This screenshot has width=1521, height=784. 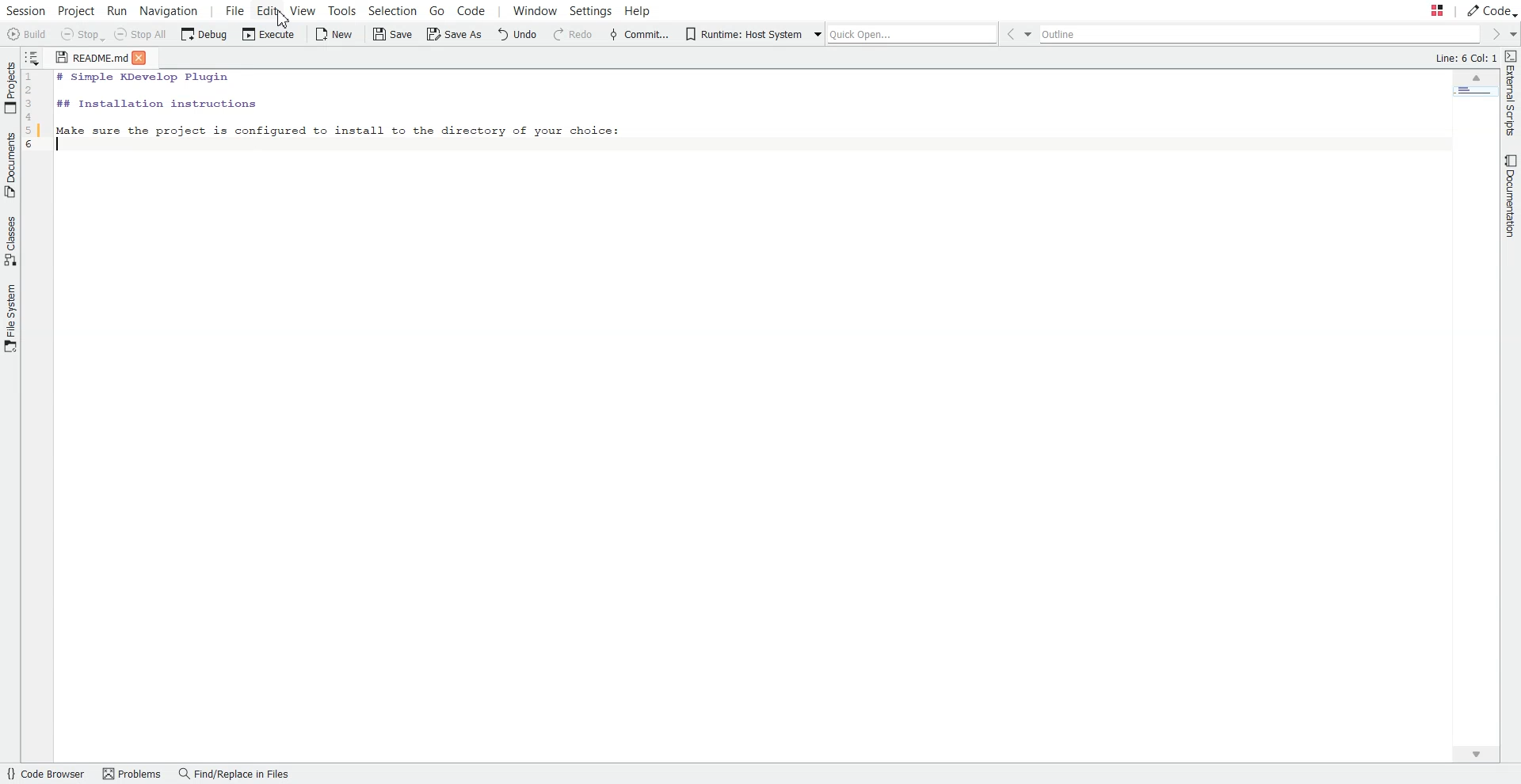 I want to click on Redo, so click(x=573, y=35).